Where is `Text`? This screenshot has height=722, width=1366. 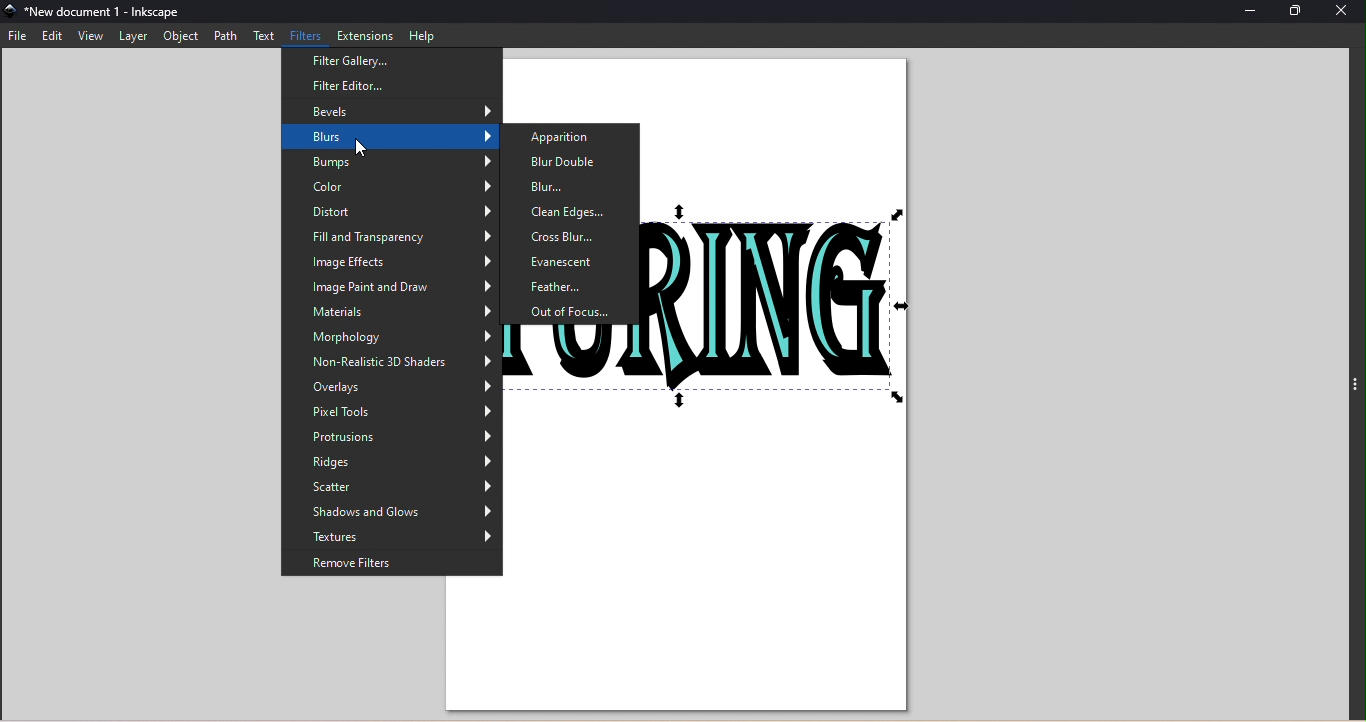 Text is located at coordinates (262, 35).